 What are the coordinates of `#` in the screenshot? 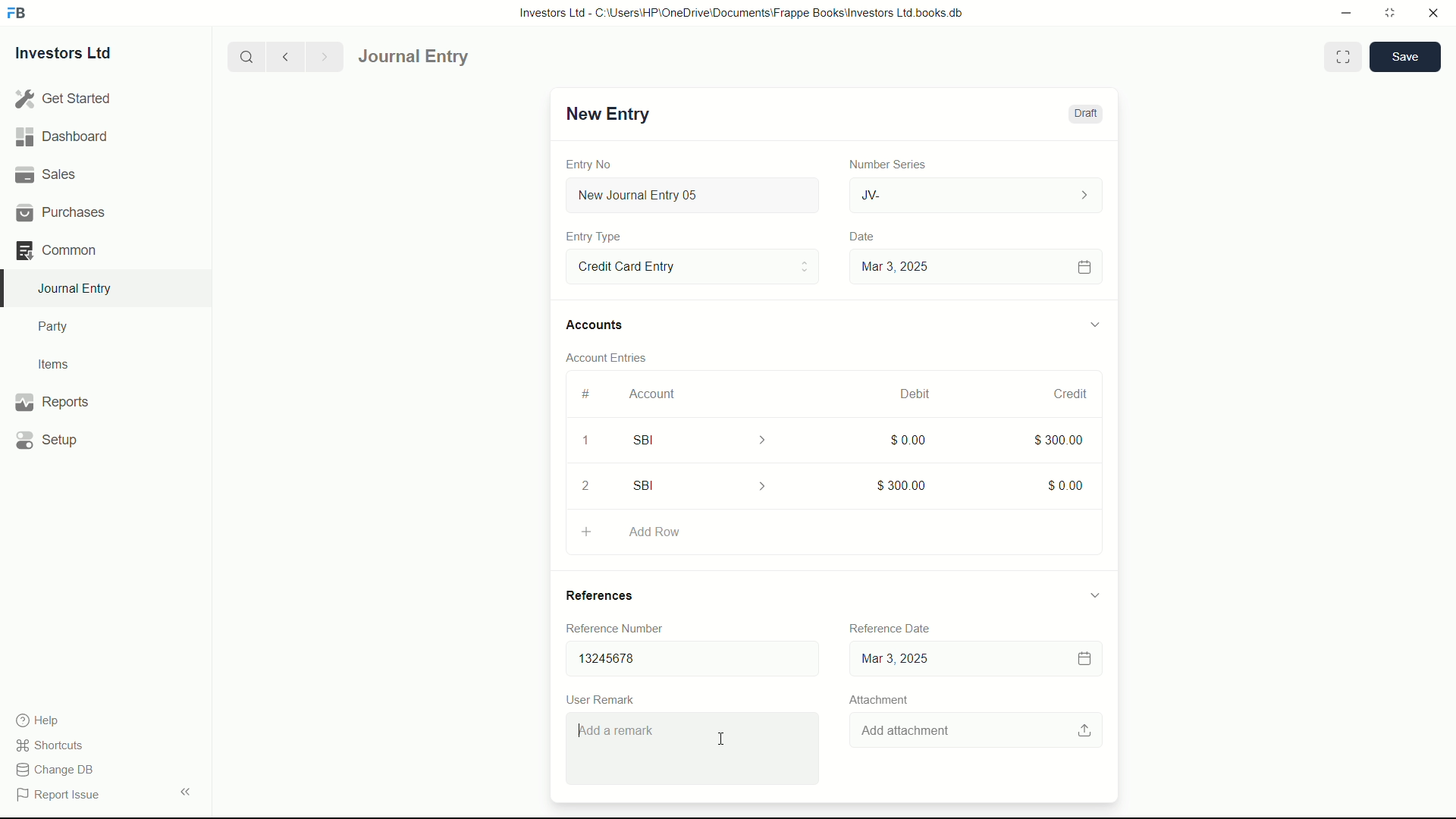 It's located at (587, 394).